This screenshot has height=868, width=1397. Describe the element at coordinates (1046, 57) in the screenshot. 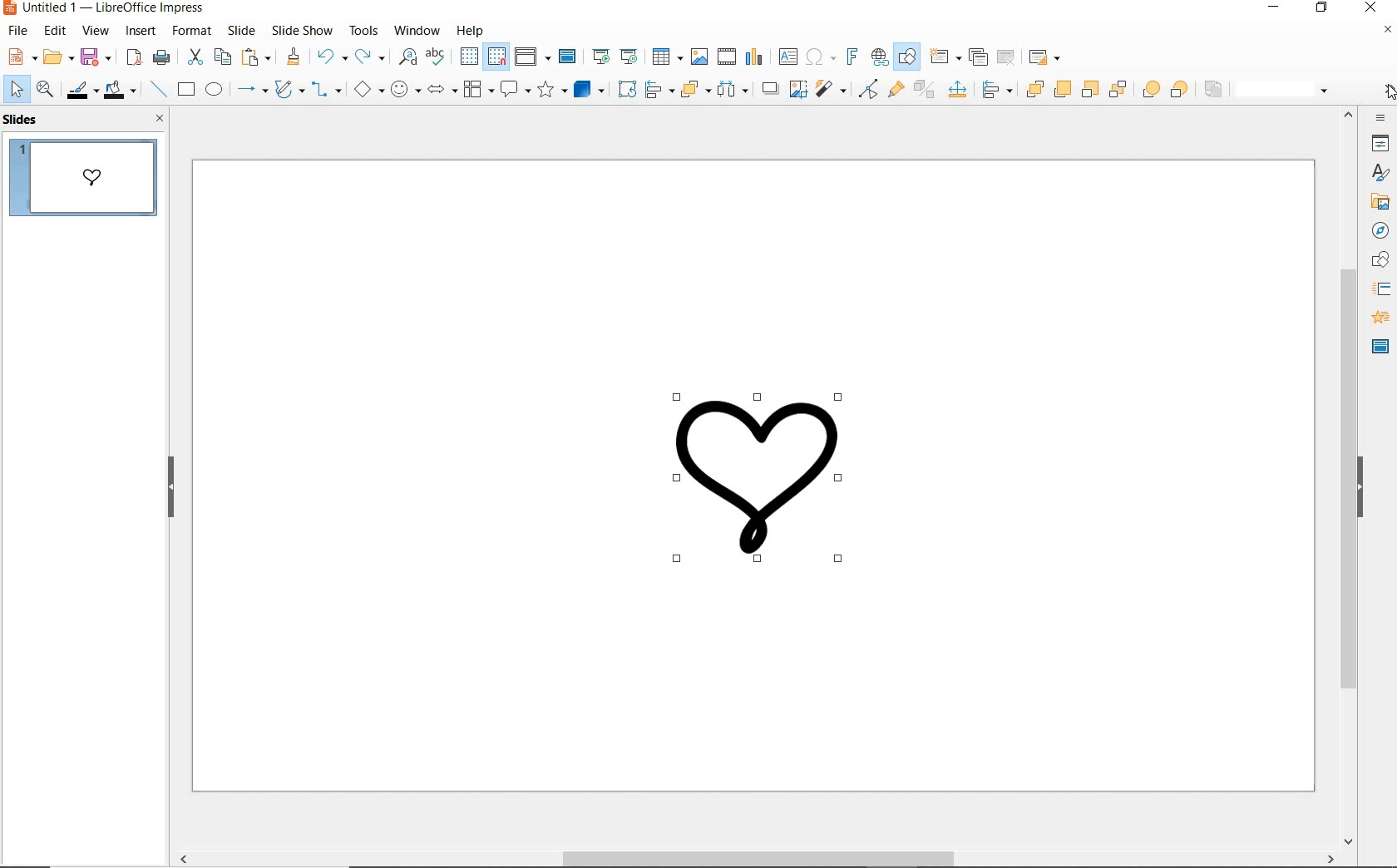

I see `slide layout` at that location.